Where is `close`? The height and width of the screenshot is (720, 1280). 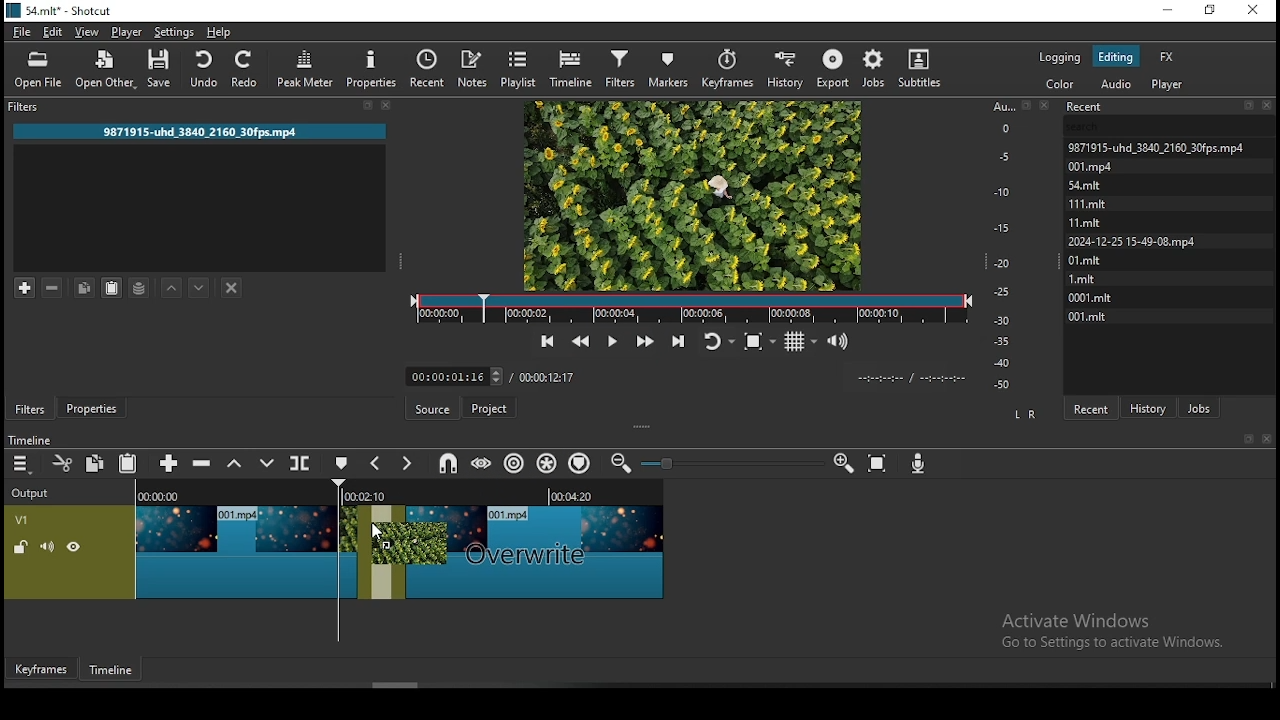 close is located at coordinates (1267, 439).